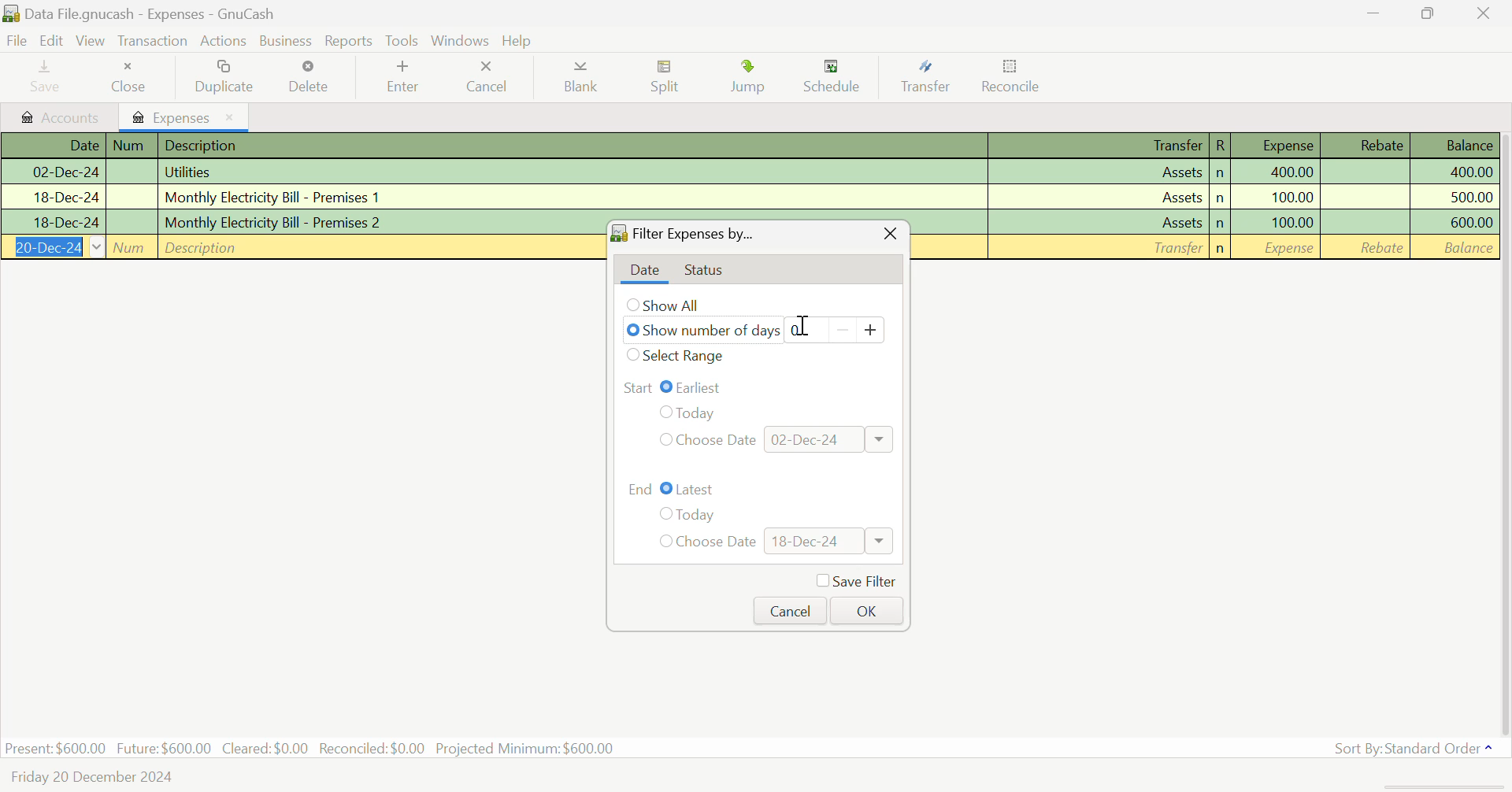 This screenshot has height=792, width=1512. What do you see at coordinates (1421, 747) in the screenshot?
I see `Sort By: Standard Order` at bounding box center [1421, 747].